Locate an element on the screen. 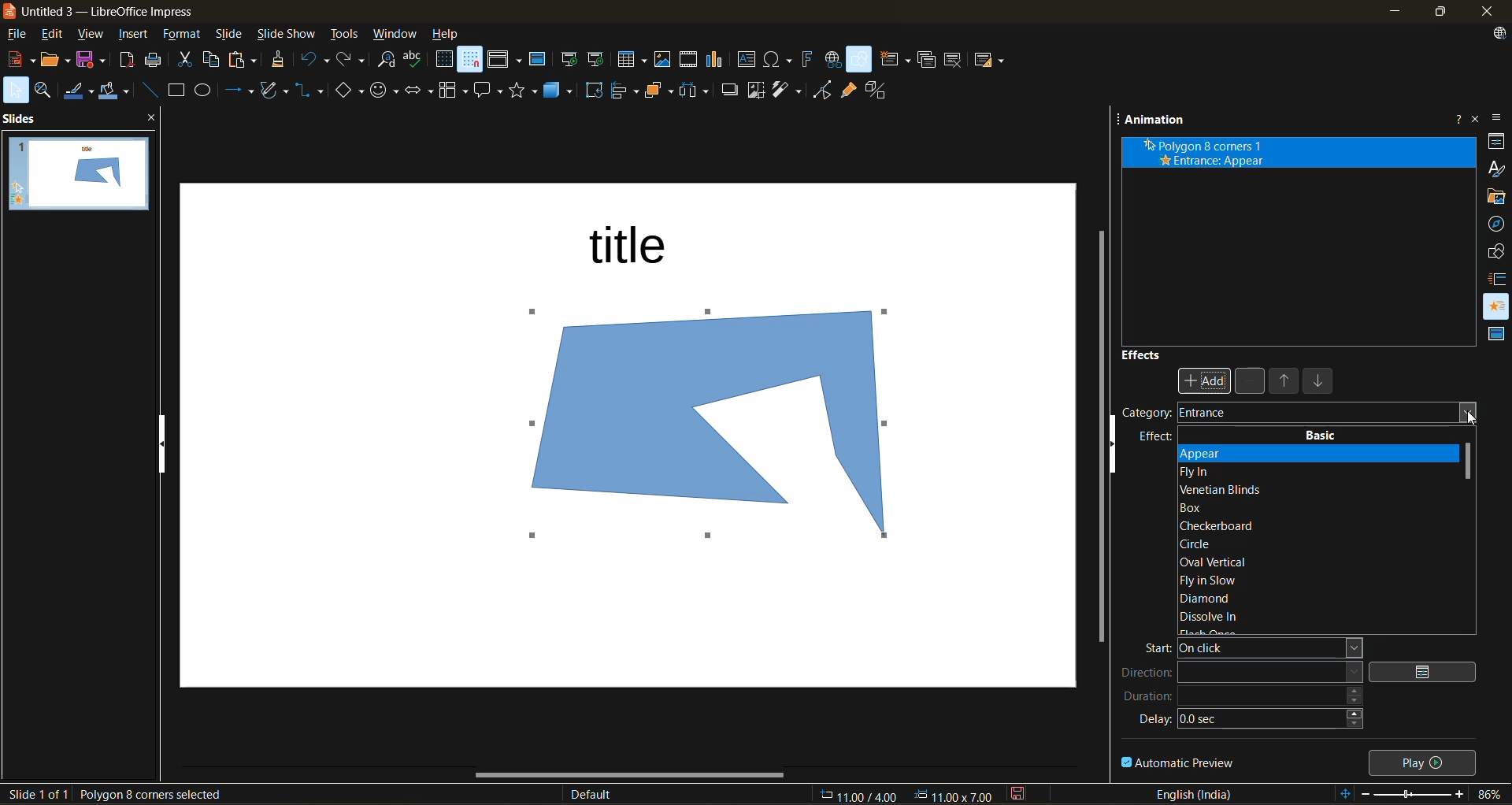 The image size is (1512, 805). insert hyperlink is located at coordinates (832, 61).